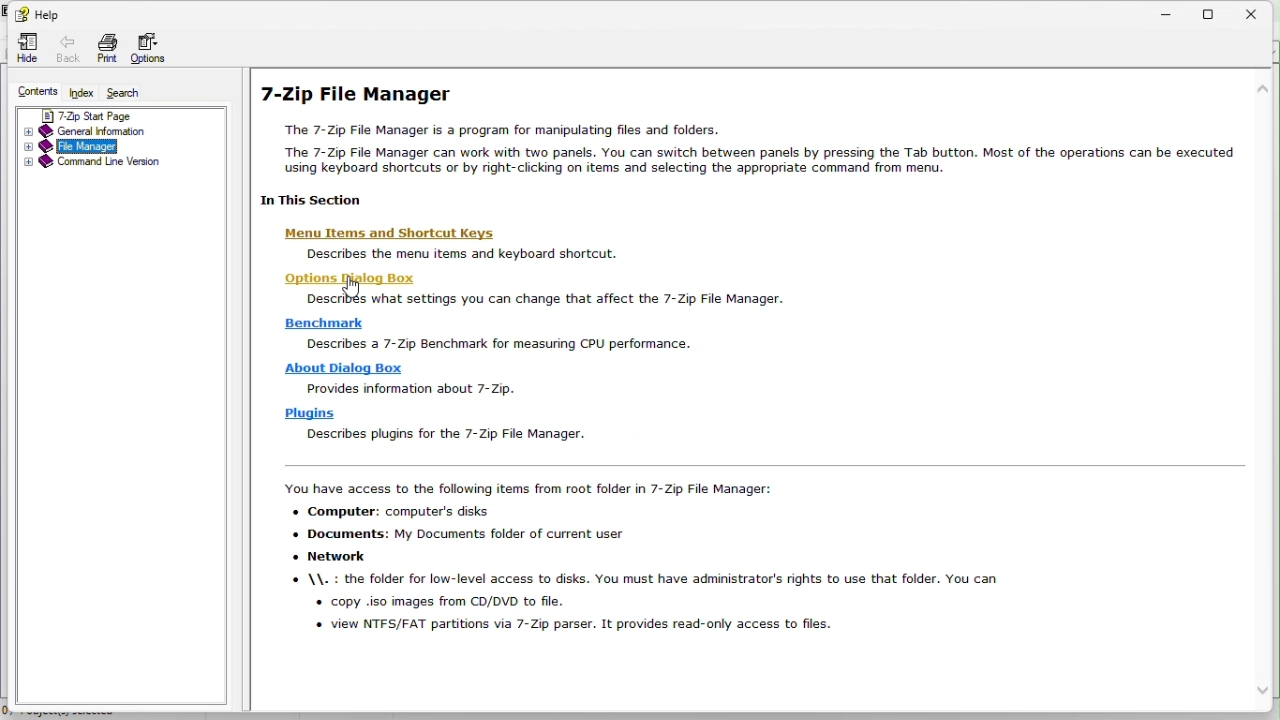  Describe the element at coordinates (451, 435) in the screenshot. I see `plugins manager ` at that location.